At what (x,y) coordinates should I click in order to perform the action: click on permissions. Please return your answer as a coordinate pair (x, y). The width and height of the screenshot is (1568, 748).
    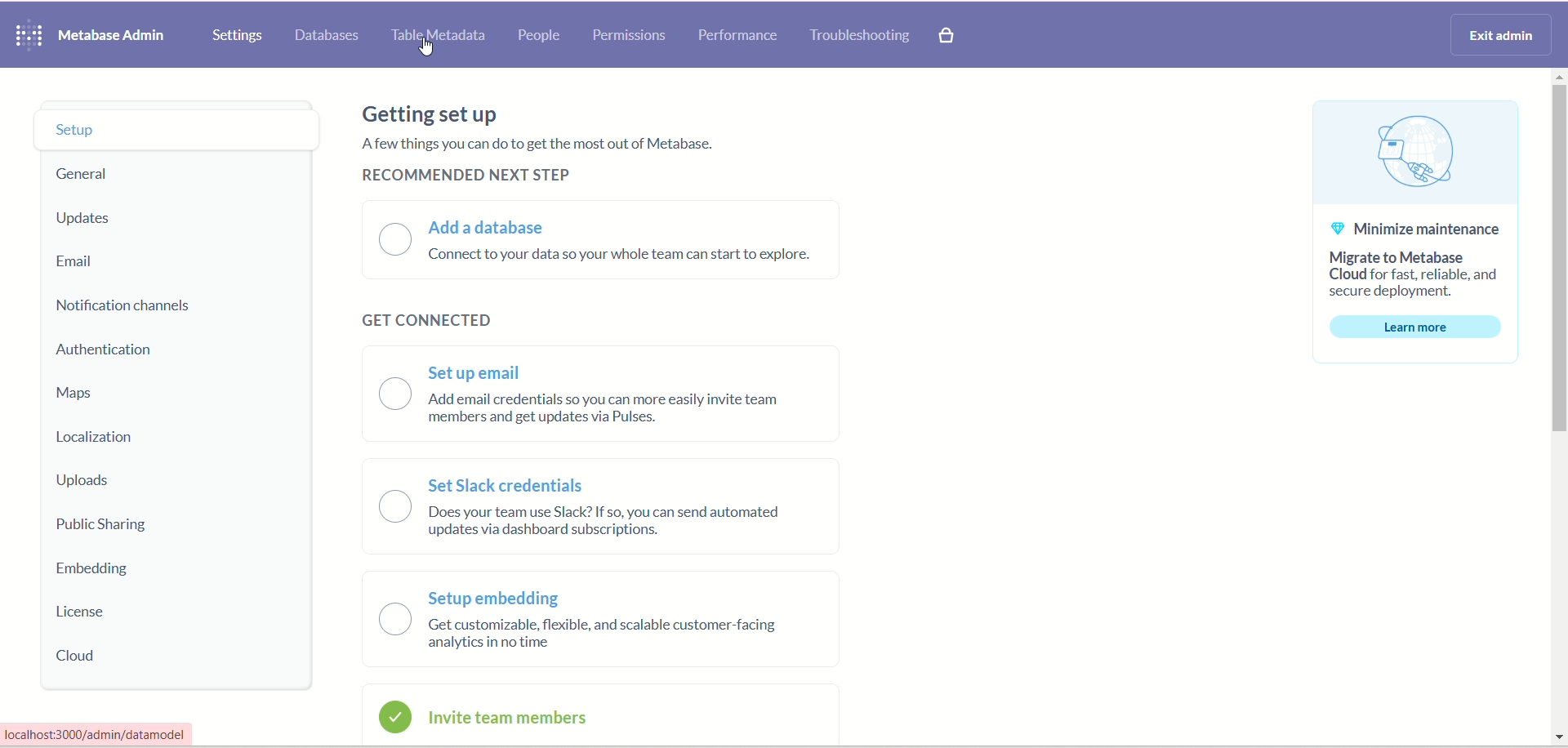
    Looking at the image, I should click on (630, 35).